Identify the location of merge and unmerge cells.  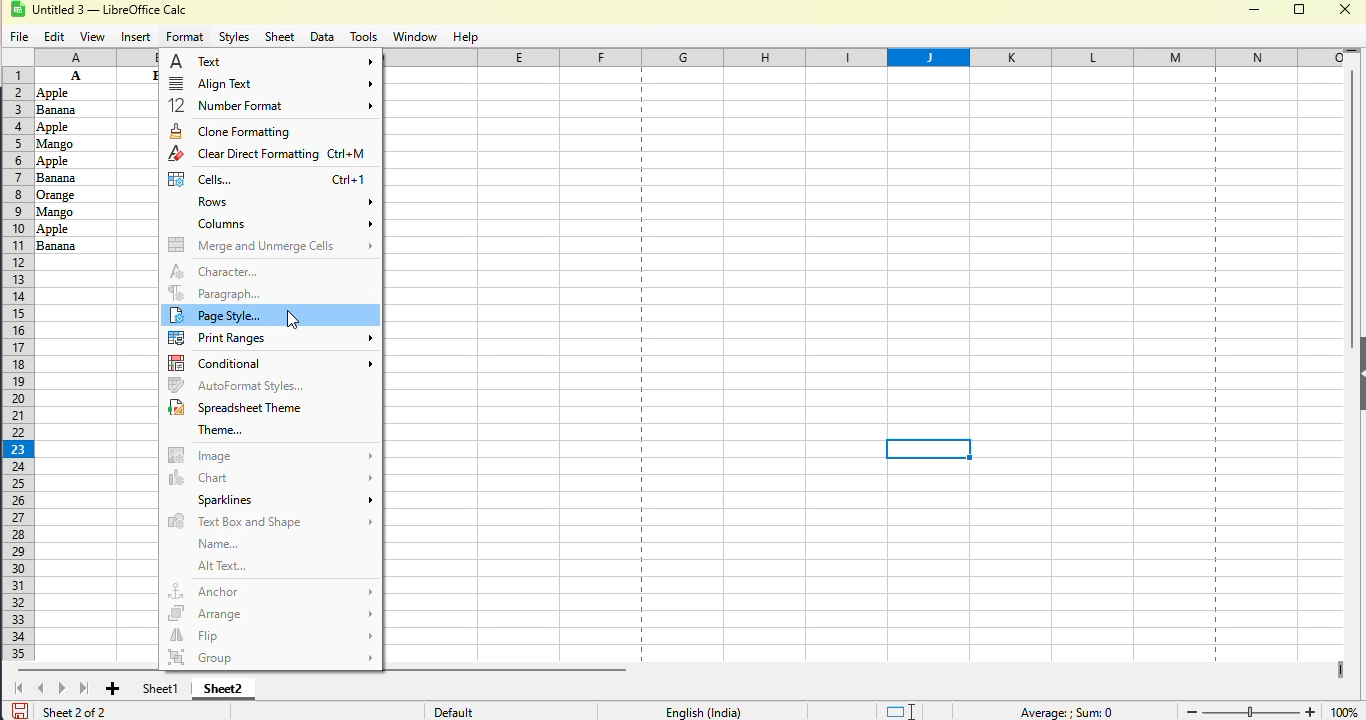
(270, 245).